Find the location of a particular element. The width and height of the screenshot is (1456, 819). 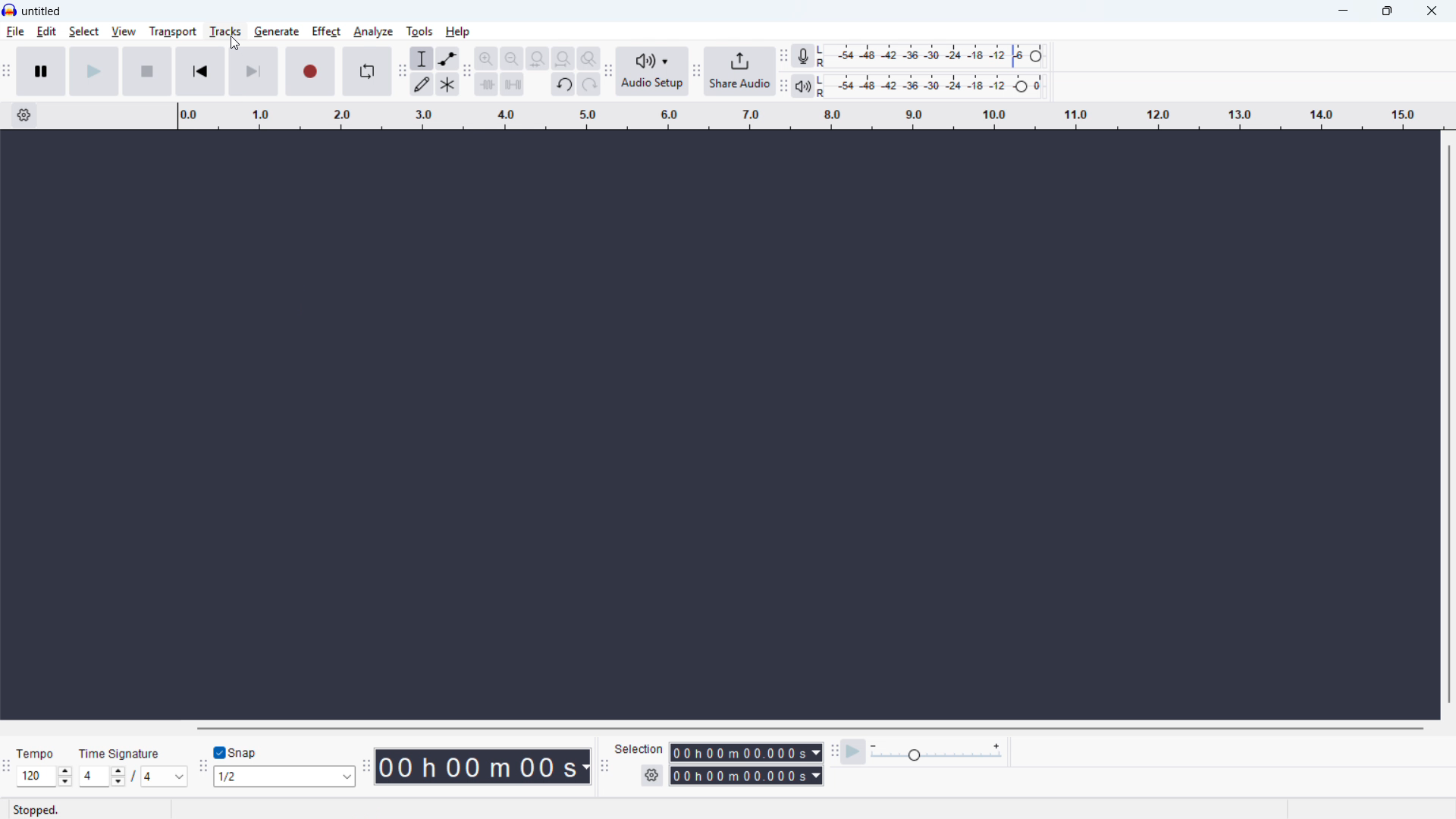

Selection tool  is located at coordinates (422, 58).